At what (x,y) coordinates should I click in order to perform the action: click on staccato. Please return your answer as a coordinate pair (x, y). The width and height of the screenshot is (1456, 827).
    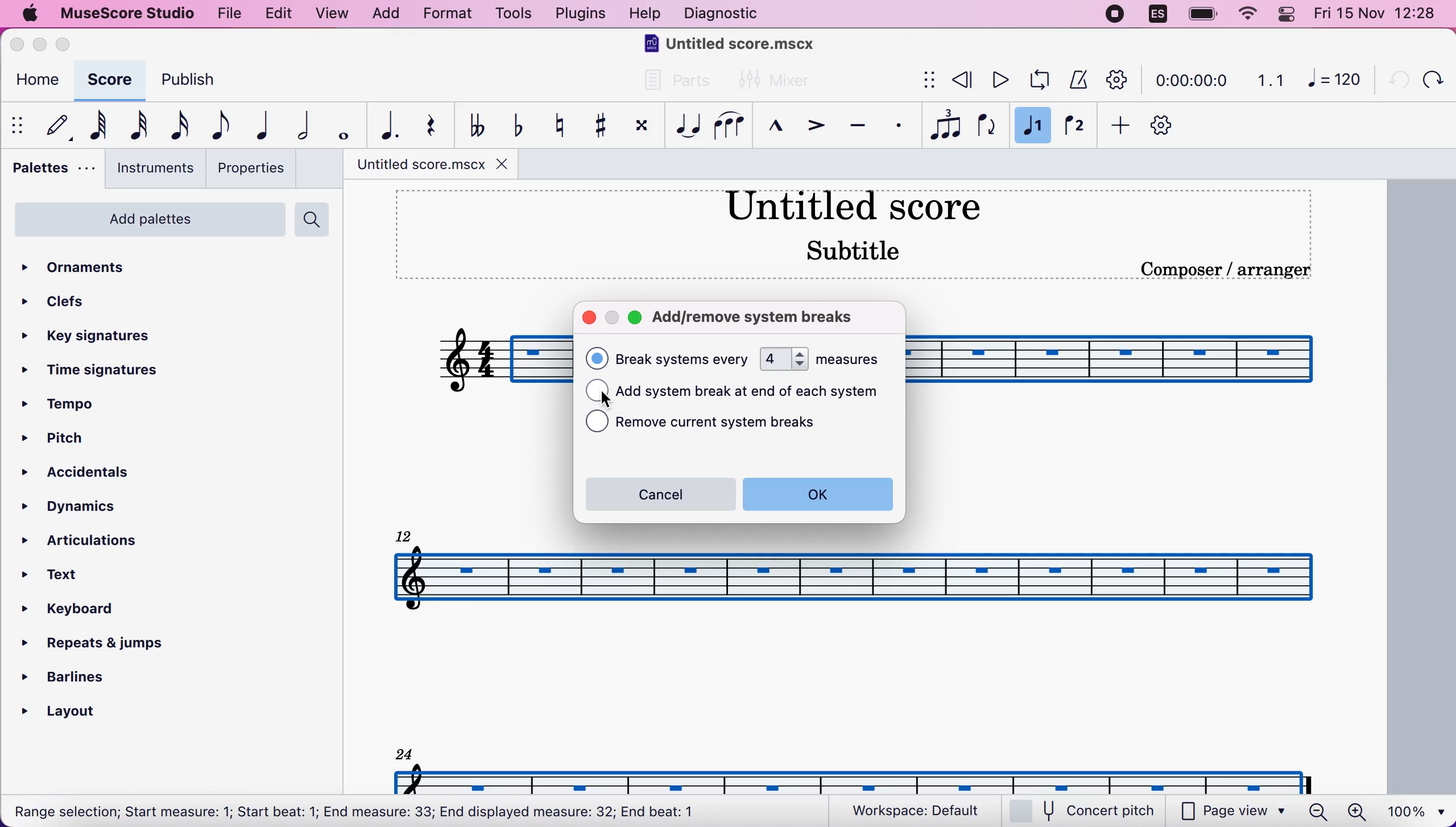
    Looking at the image, I should click on (899, 126).